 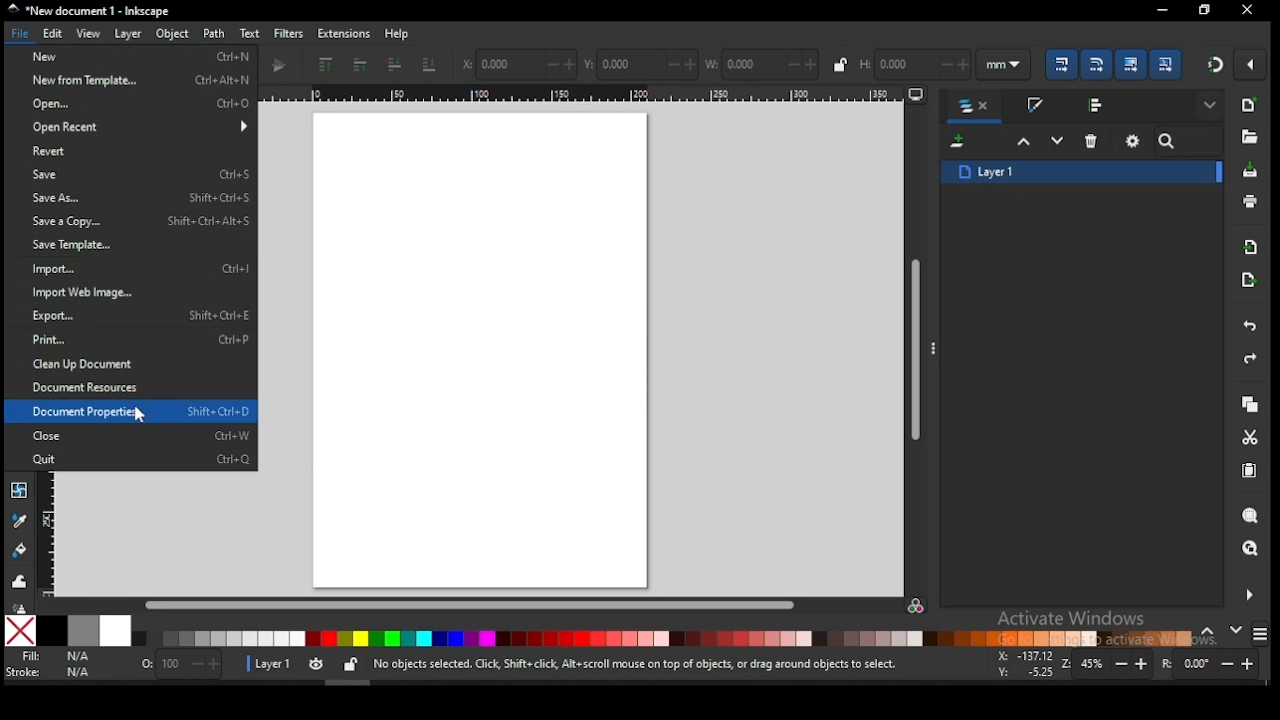 I want to click on delete layer, so click(x=1092, y=140).